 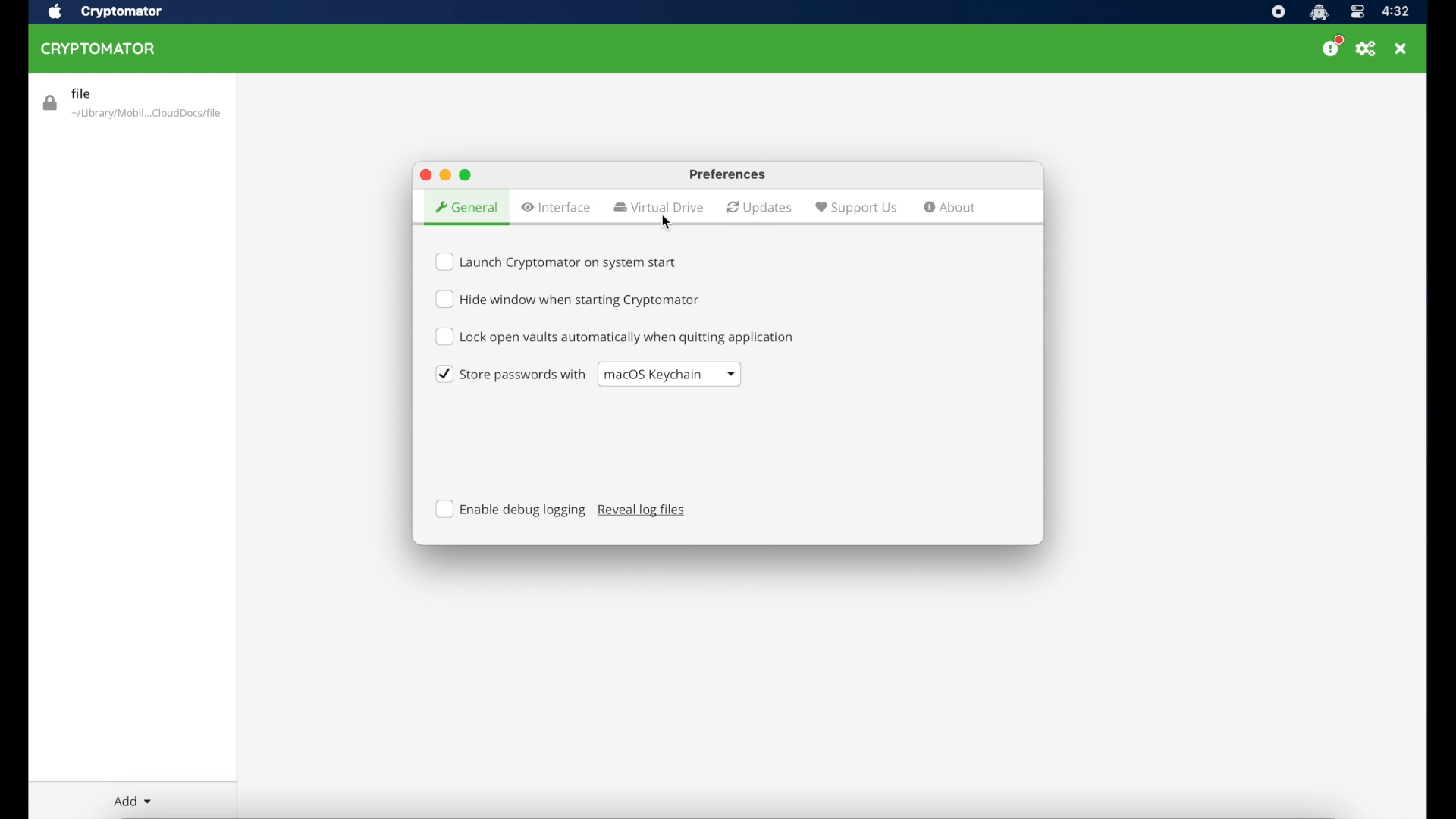 What do you see at coordinates (444, 175) in the screenshot?
I see `minimize` at bounding box center [444, 175].